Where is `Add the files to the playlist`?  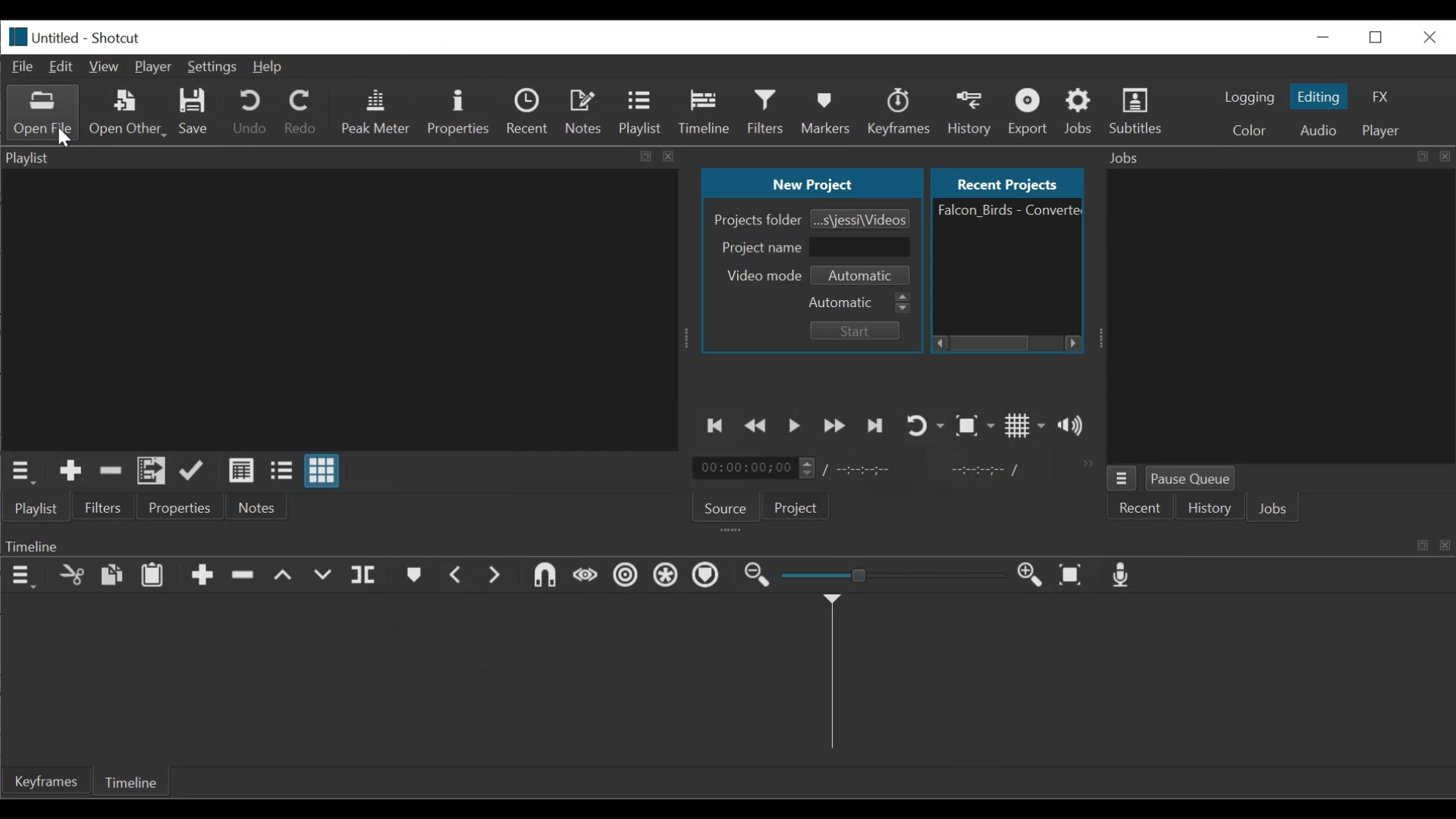
Add the files to the playlist is located at coordinates (151, 471).